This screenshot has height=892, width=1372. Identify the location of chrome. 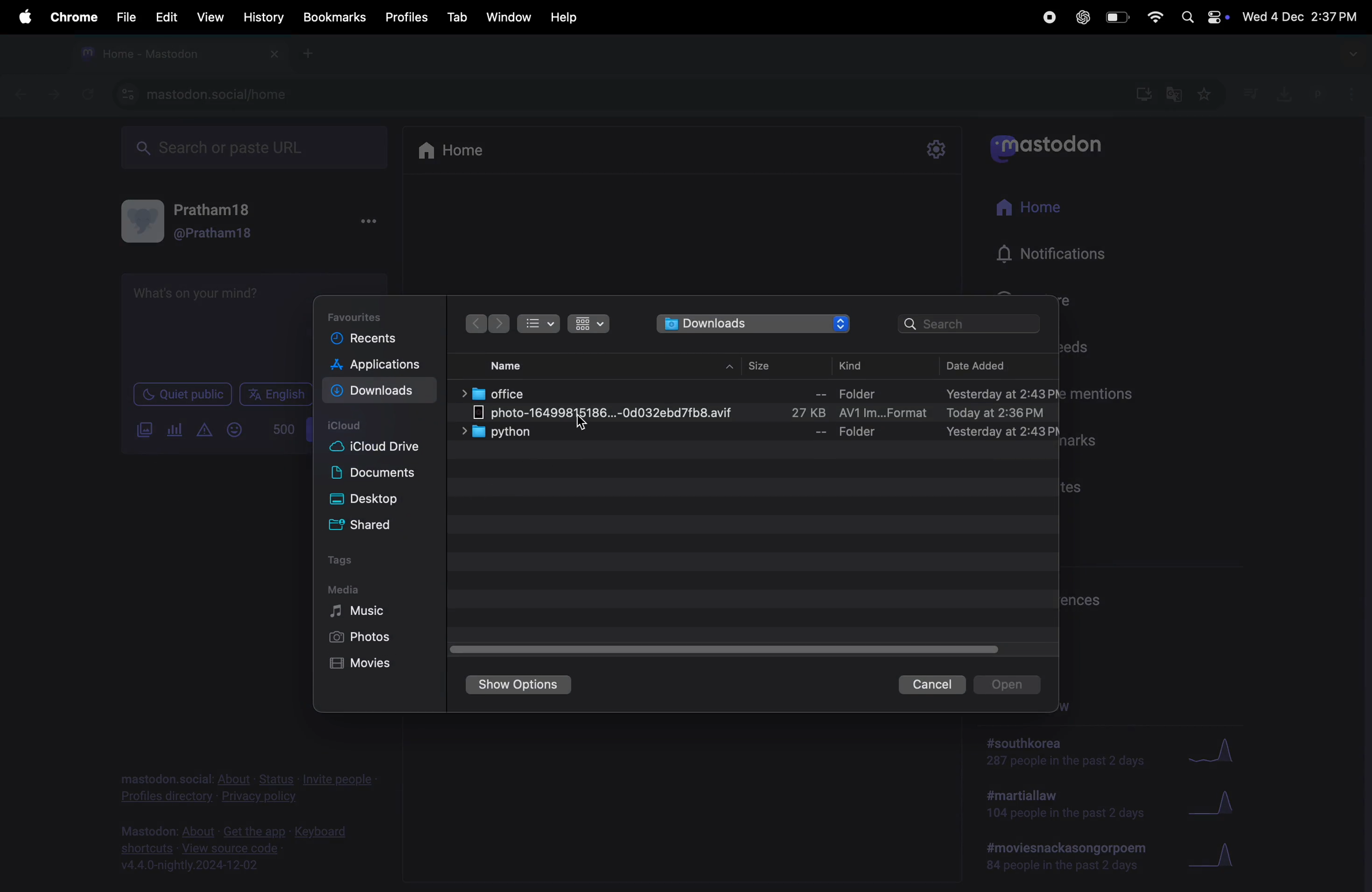
(71, 17).